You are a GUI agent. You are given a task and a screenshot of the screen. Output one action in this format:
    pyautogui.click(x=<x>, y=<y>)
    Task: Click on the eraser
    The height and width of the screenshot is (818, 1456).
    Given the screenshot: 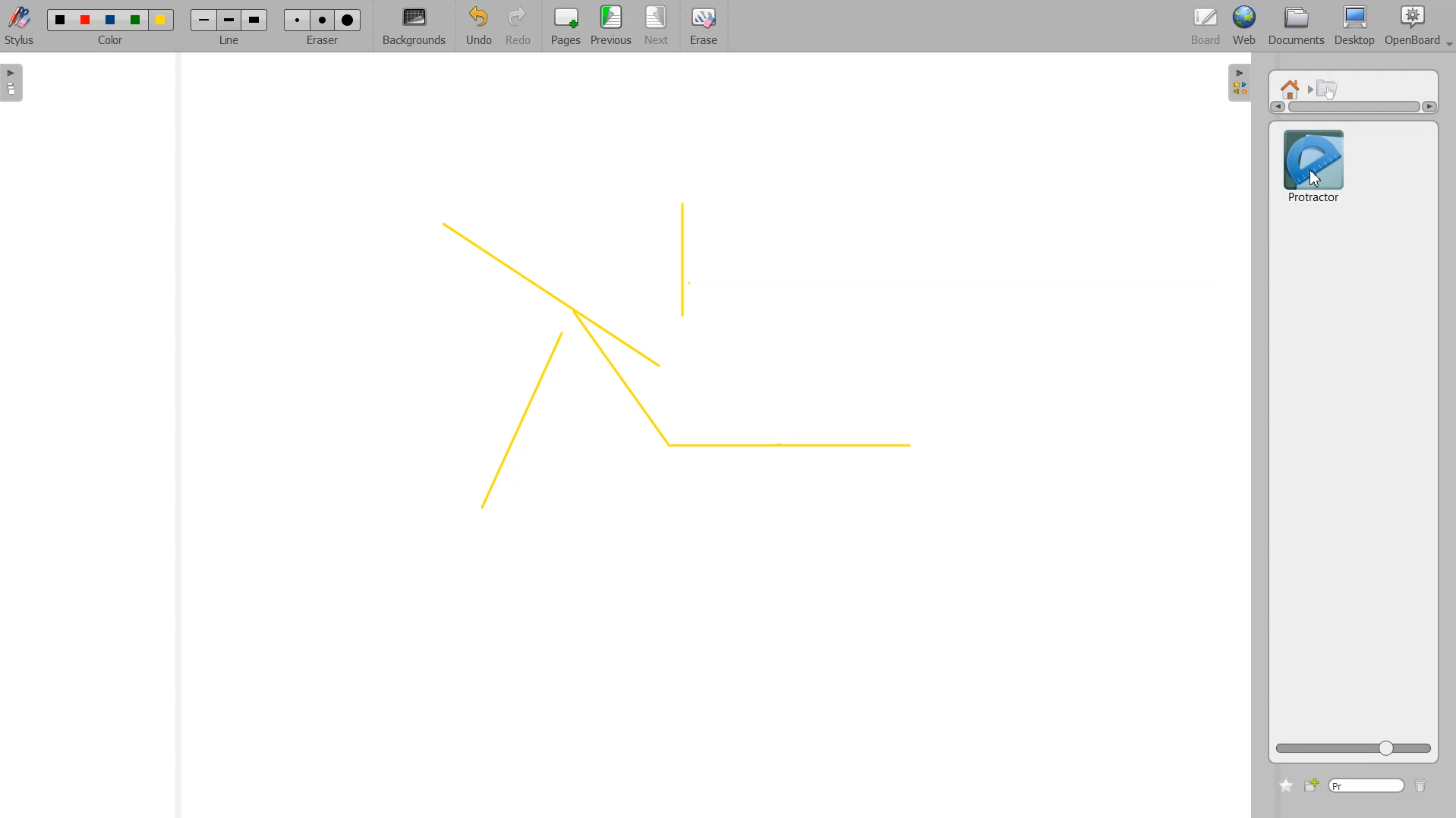 What is the action you would take?
    pyautogui.click(x=320, y=45)
    